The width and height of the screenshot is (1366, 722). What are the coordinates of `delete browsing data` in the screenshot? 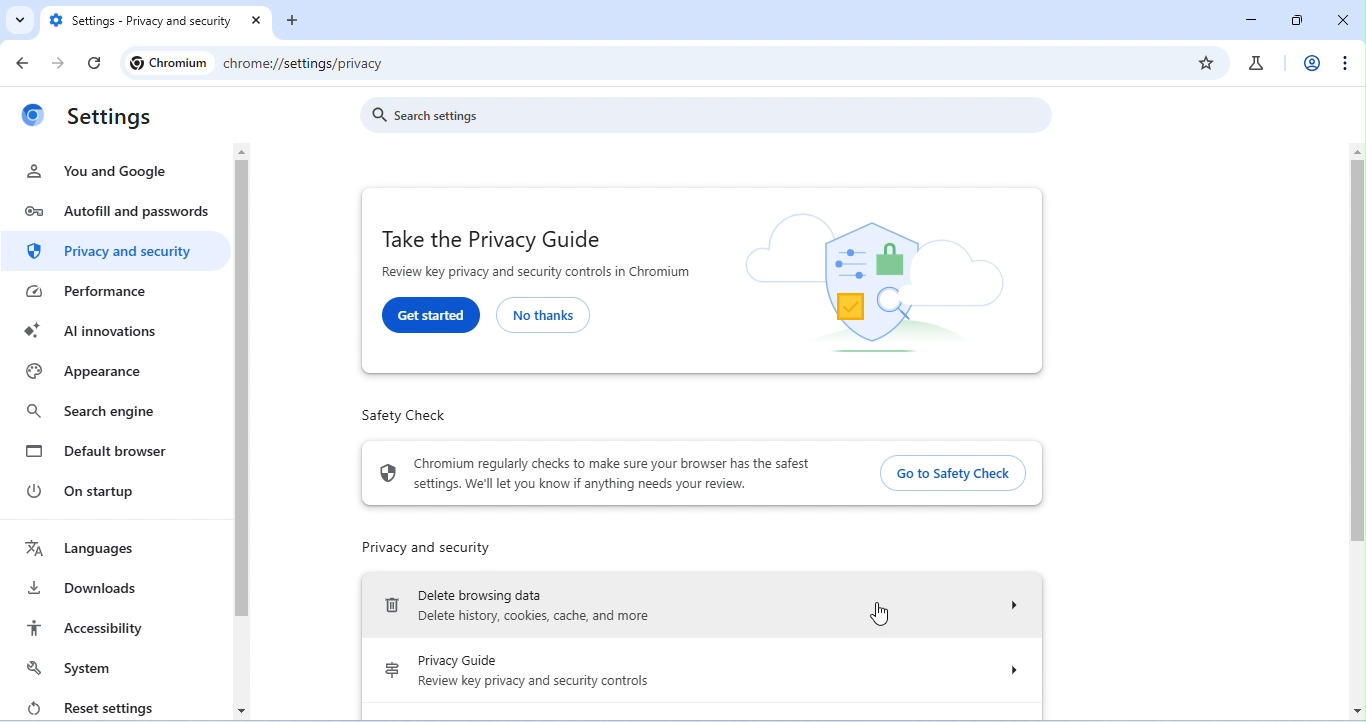 It's located at (480, 593).